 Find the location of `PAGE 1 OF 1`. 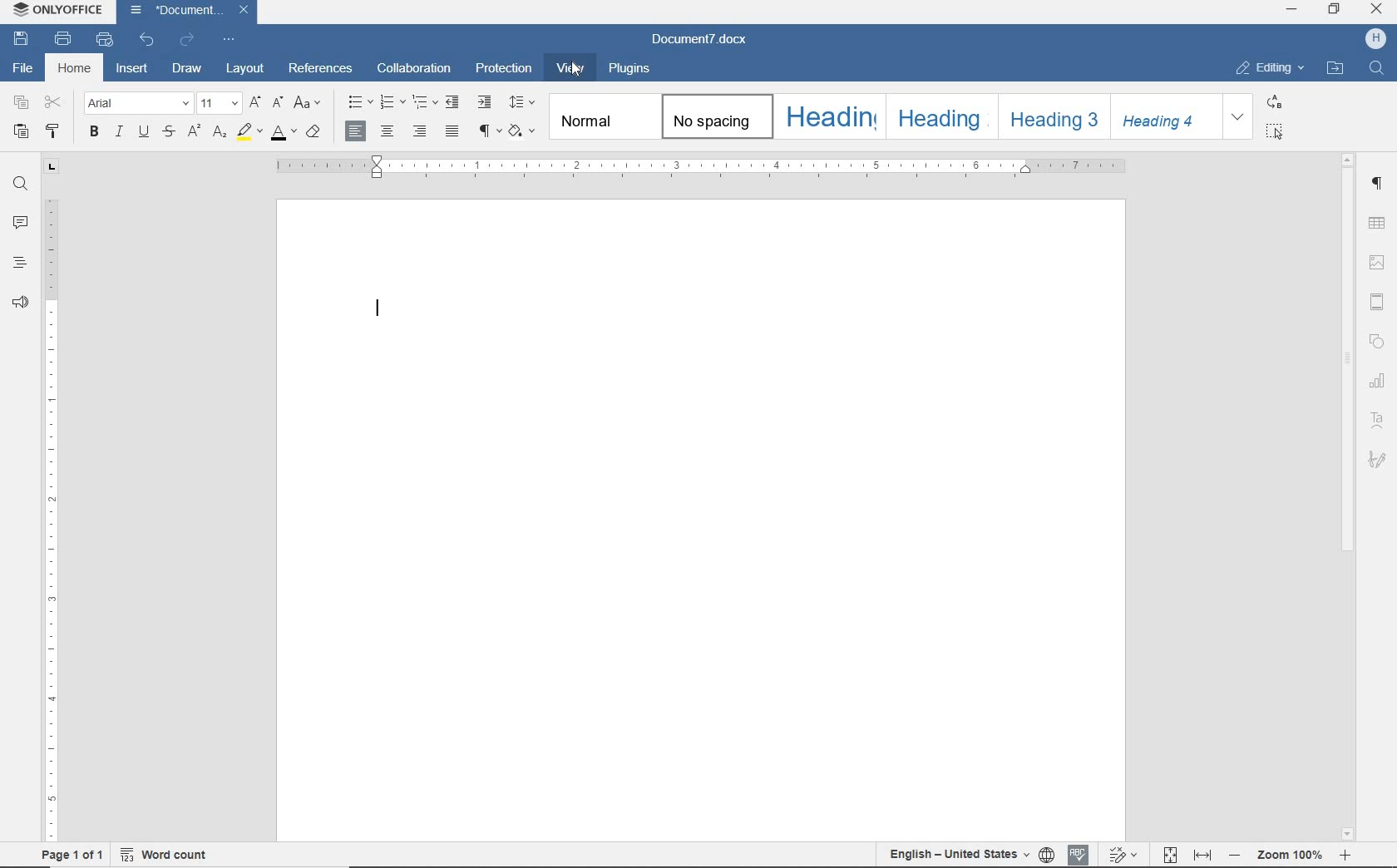

PAGE 1 OF 1 is located at coordinates (72, 856).